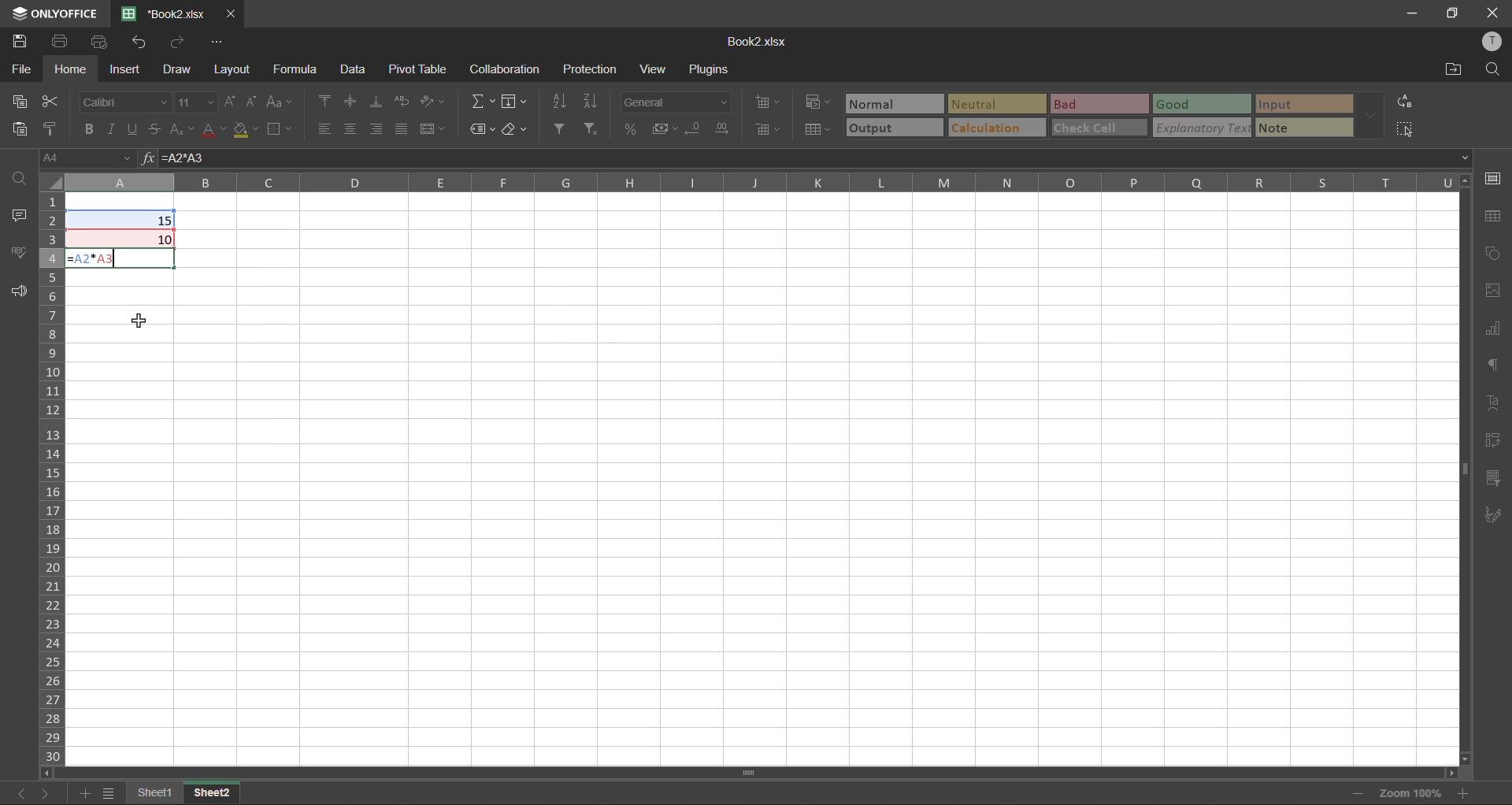 The image size is (1512, 805). I want to click on wrap text, so click(401, 101).